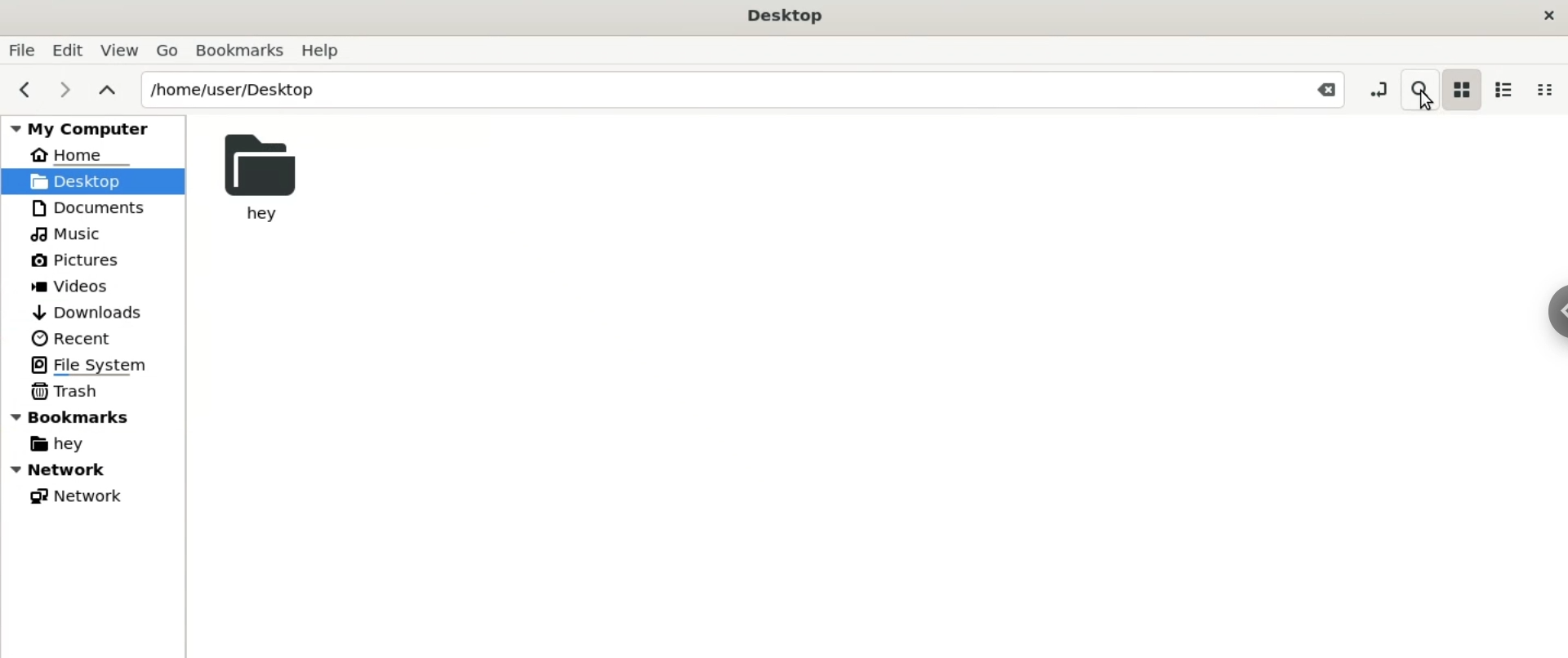 This screenshot has width=1568, height=658. I want to click on my computer, so click(94, 127).